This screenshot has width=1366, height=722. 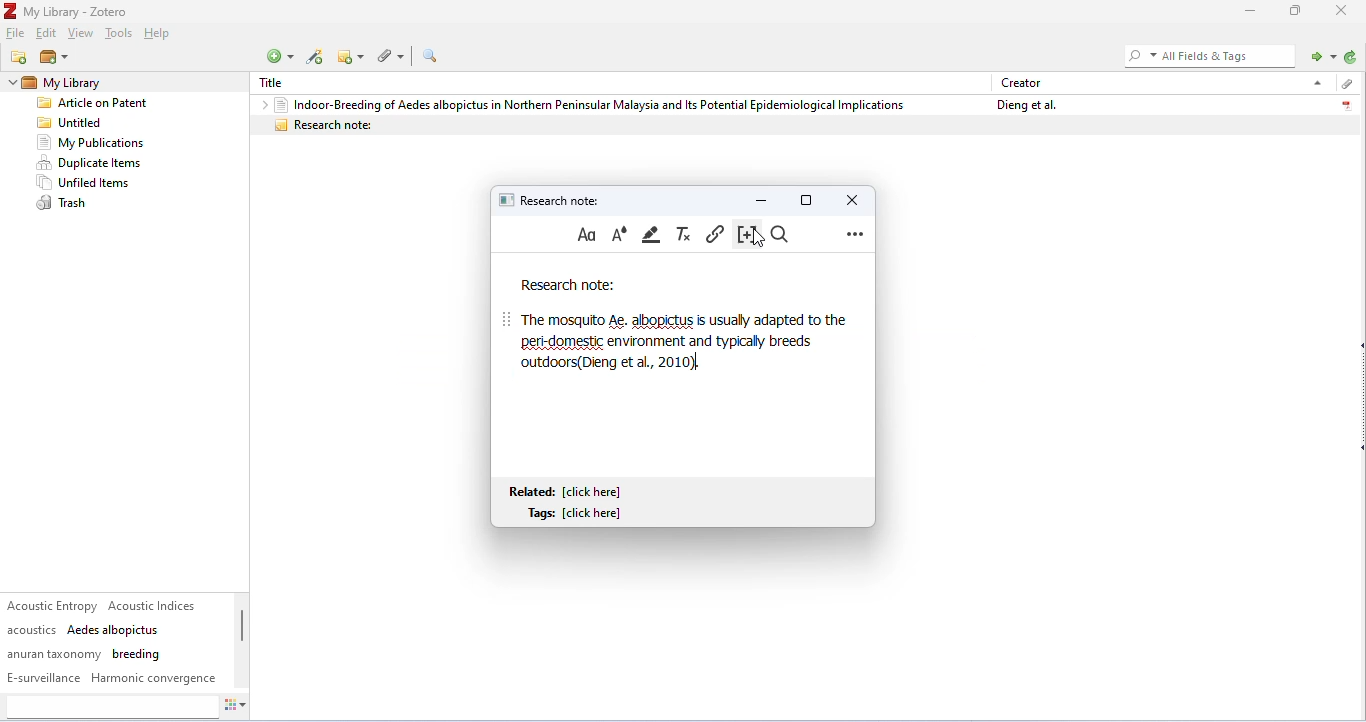 What do you see at coordinates (587, 235) in the screenshot?
I see `format text` at bounding box center [587, 235].